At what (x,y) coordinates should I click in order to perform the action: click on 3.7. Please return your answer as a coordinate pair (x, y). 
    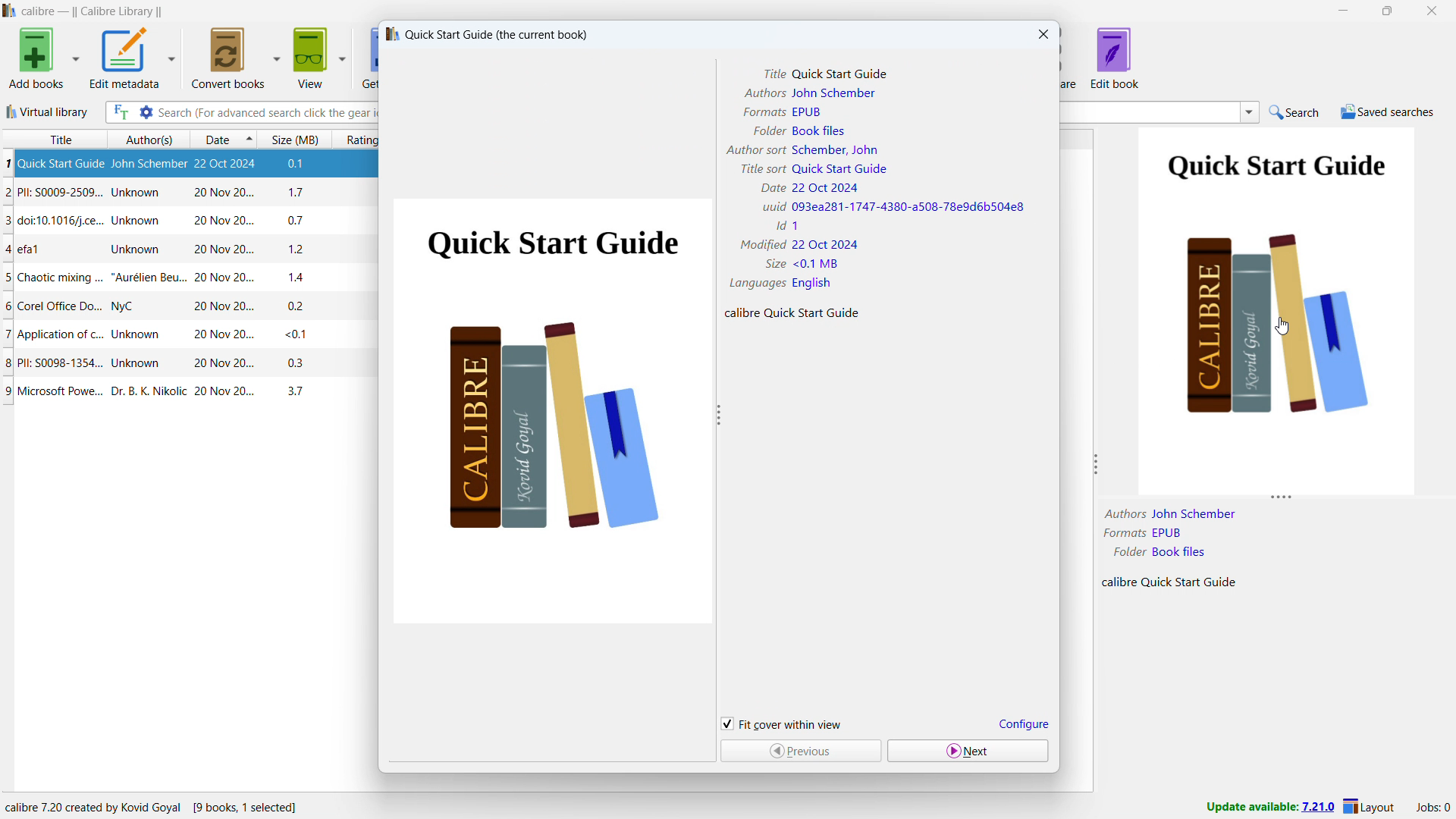
    Looking at the image, I should click on (299, 392).